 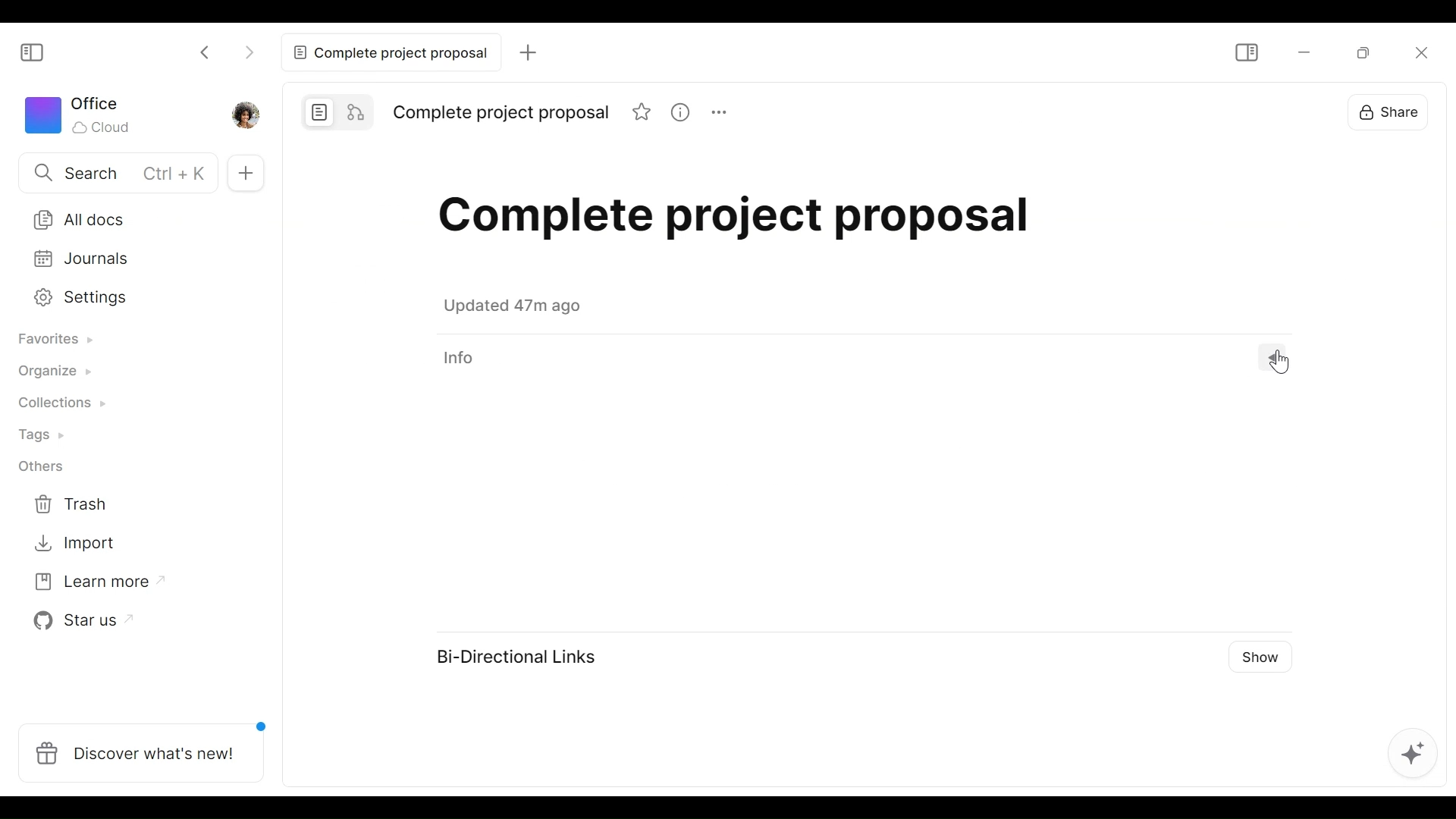 I want to click on Learn more, so click(x=93, y=585).